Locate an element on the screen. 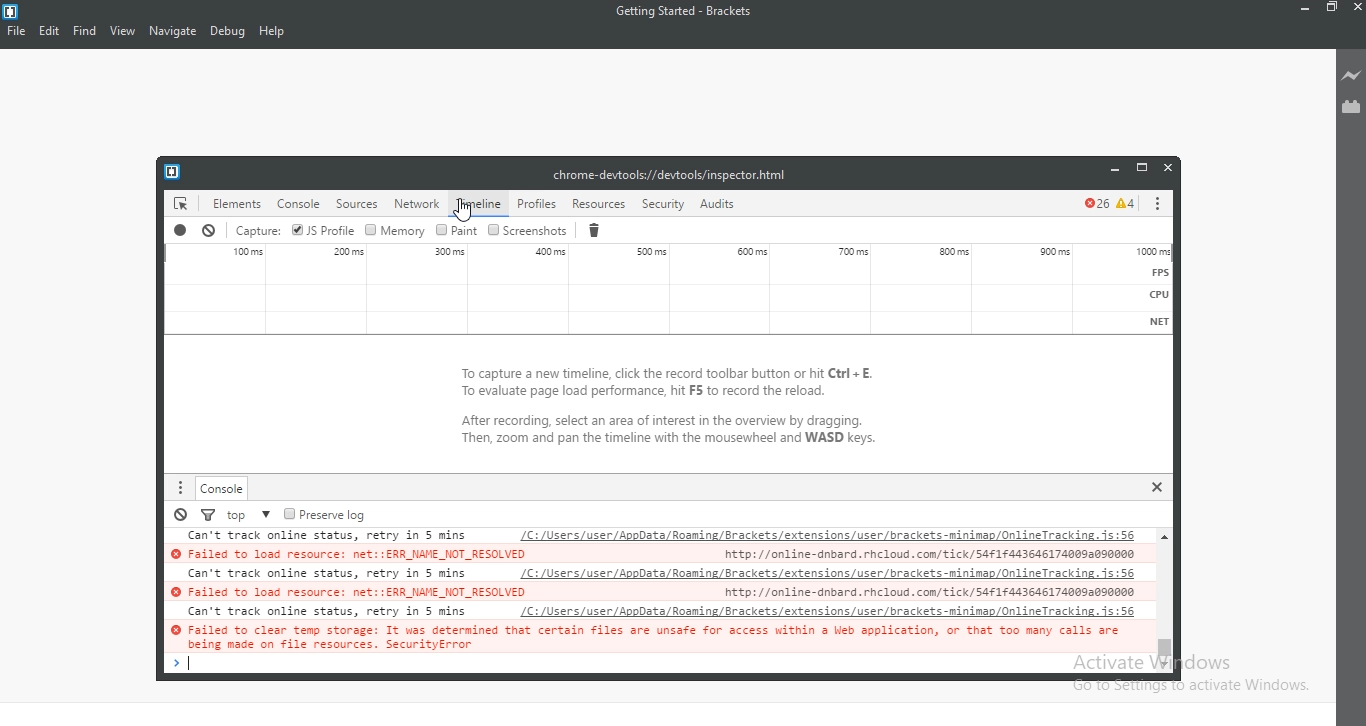 This screenshot has width=1366, height=726. Preserve log is located at coordinates (325, 513).